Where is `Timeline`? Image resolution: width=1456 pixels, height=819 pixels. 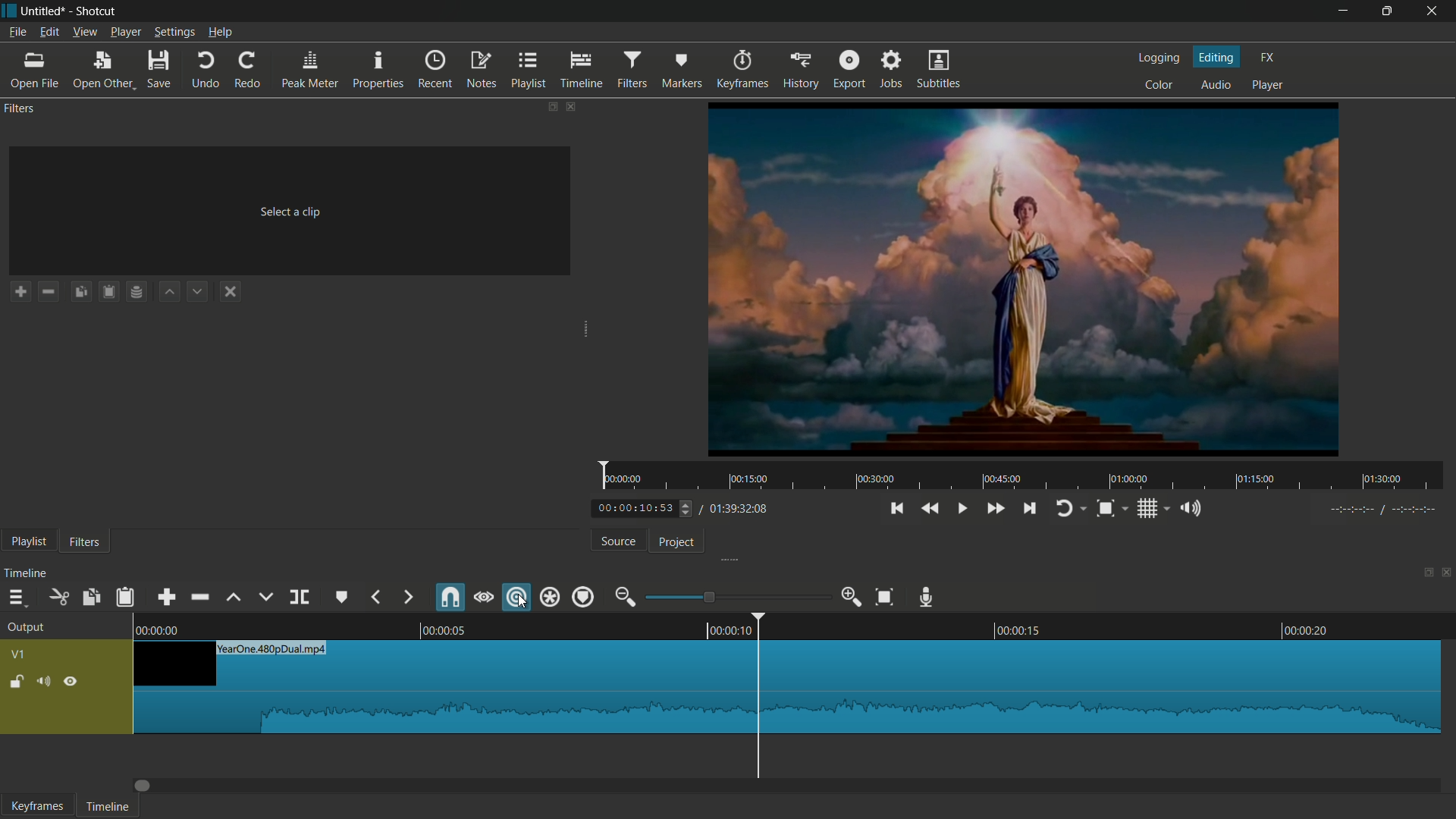 Timeline is located at coordinates (111, 807).